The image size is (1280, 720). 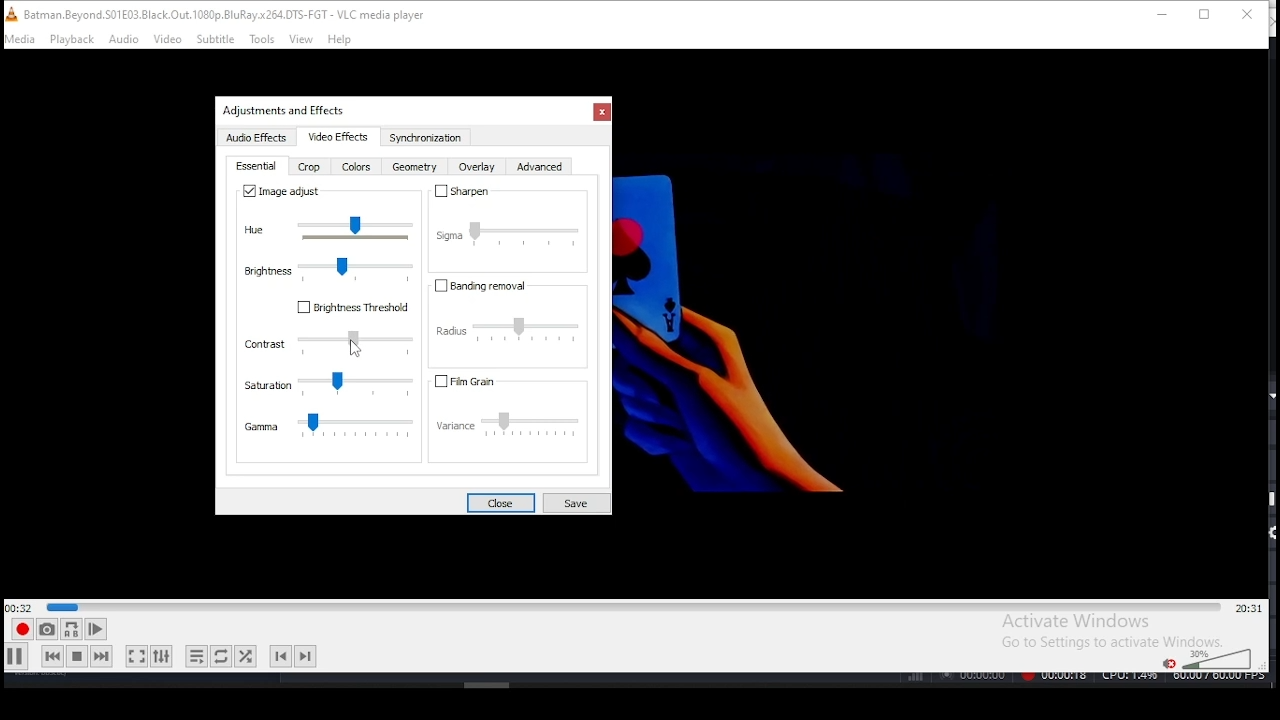 What do you see at coordinates (21, 630) in the screenshot?
I see `record` at bounding box center [21, 630].